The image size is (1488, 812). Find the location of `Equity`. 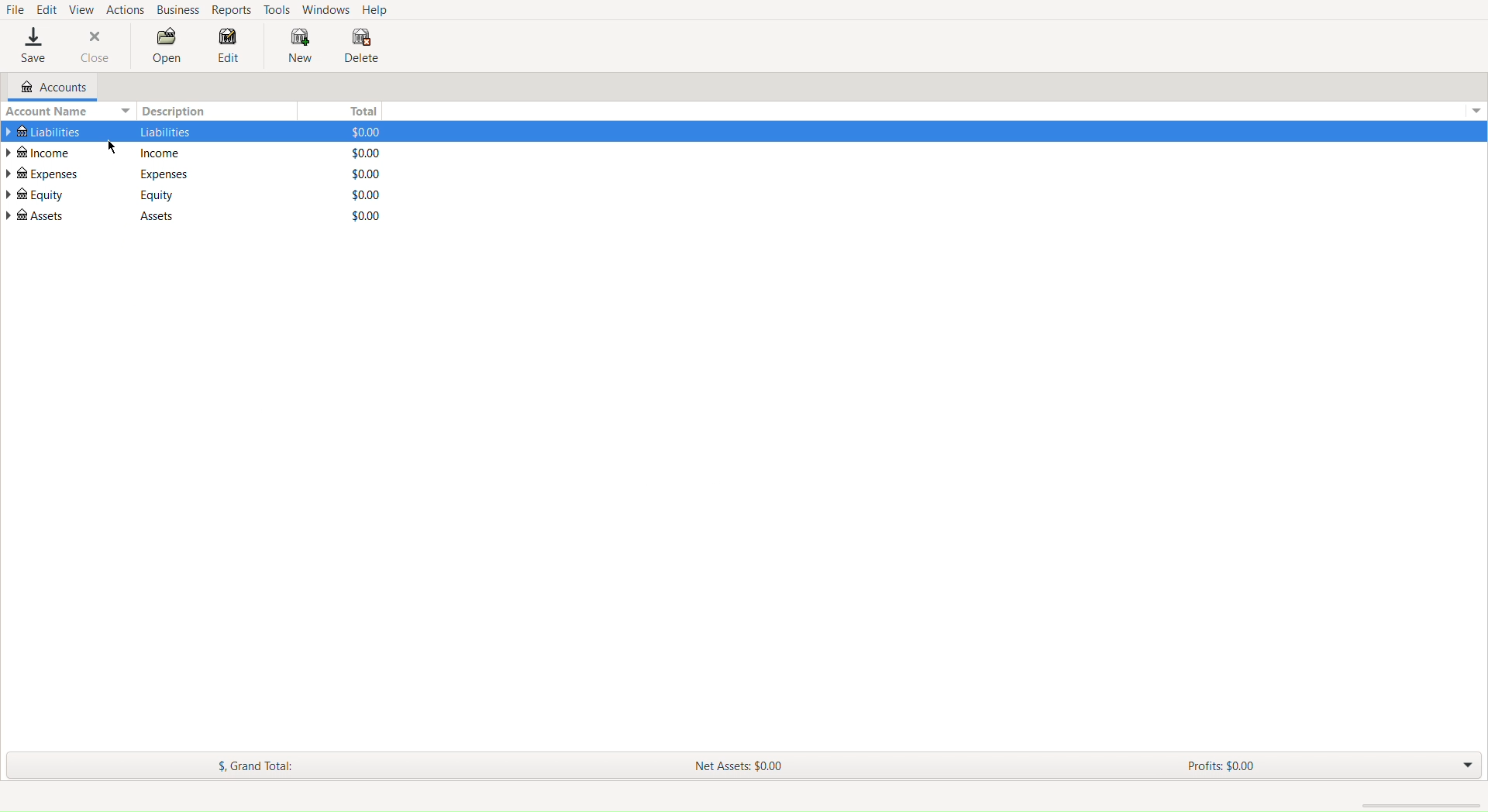

Equity is located at coordinates (40, 194).